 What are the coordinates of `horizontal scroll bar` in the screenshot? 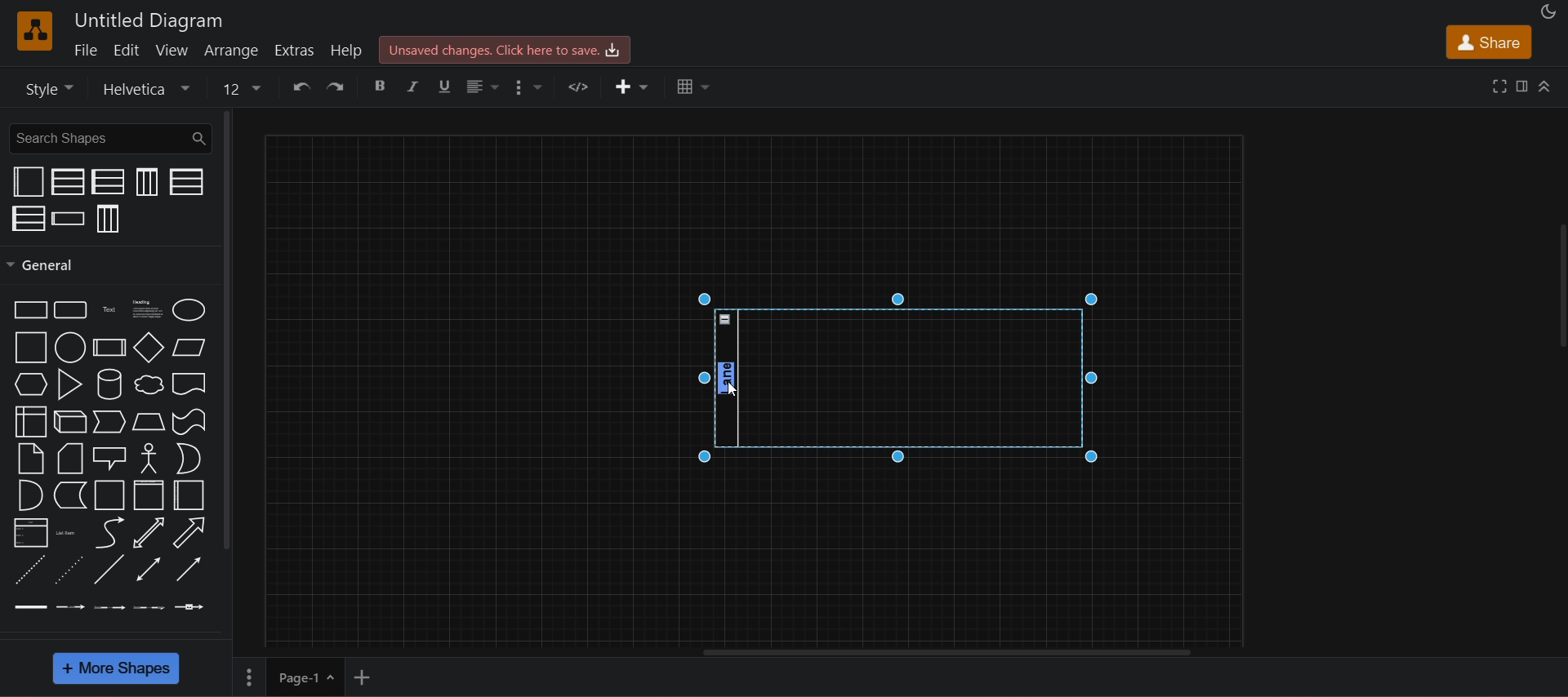 It's located at (943, 654).